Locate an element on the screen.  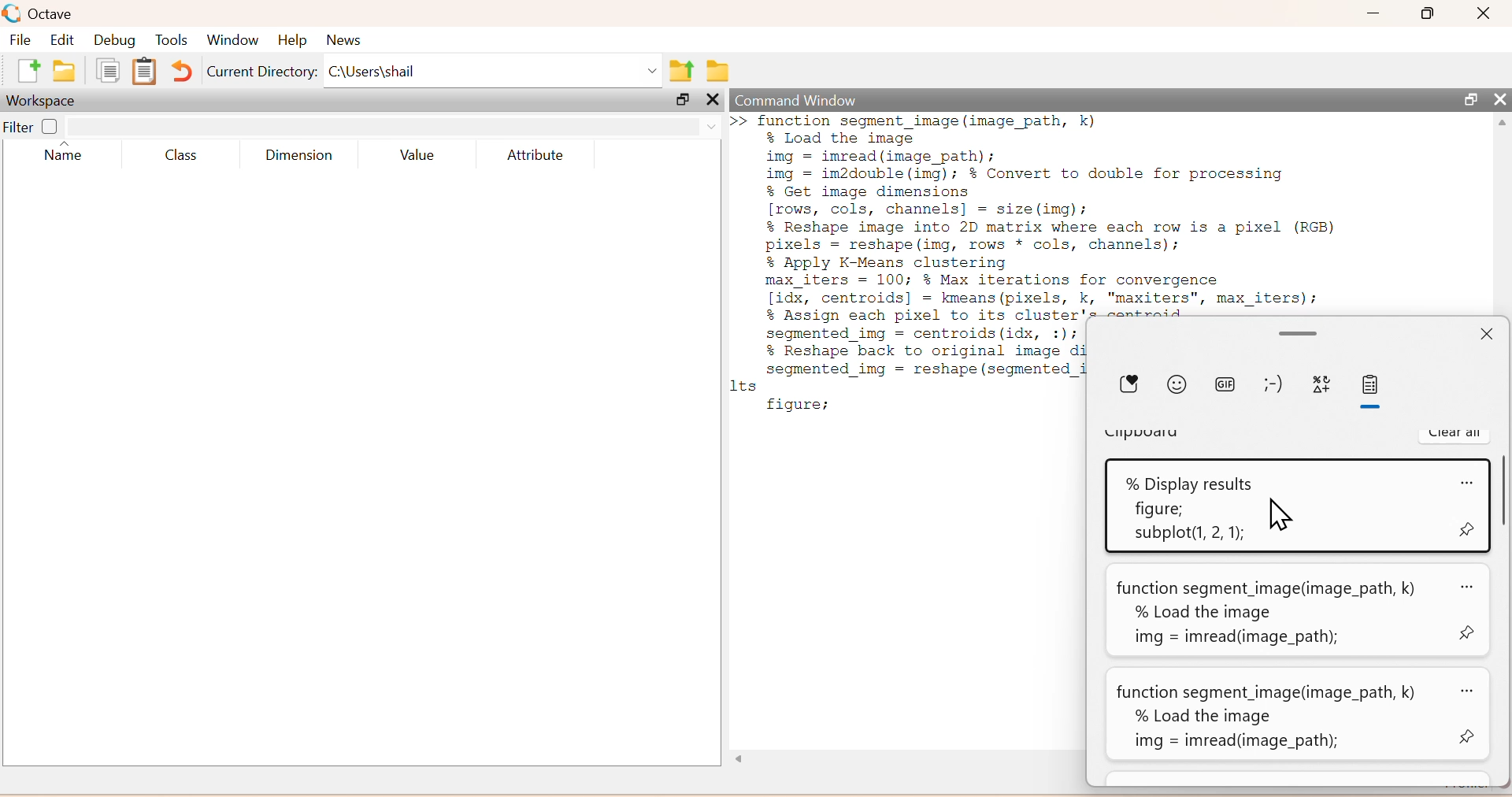
function segment_image(image_path, k) ao% Load the imageimg = imread(infege_path);  is located at coordinates (1297, 611).